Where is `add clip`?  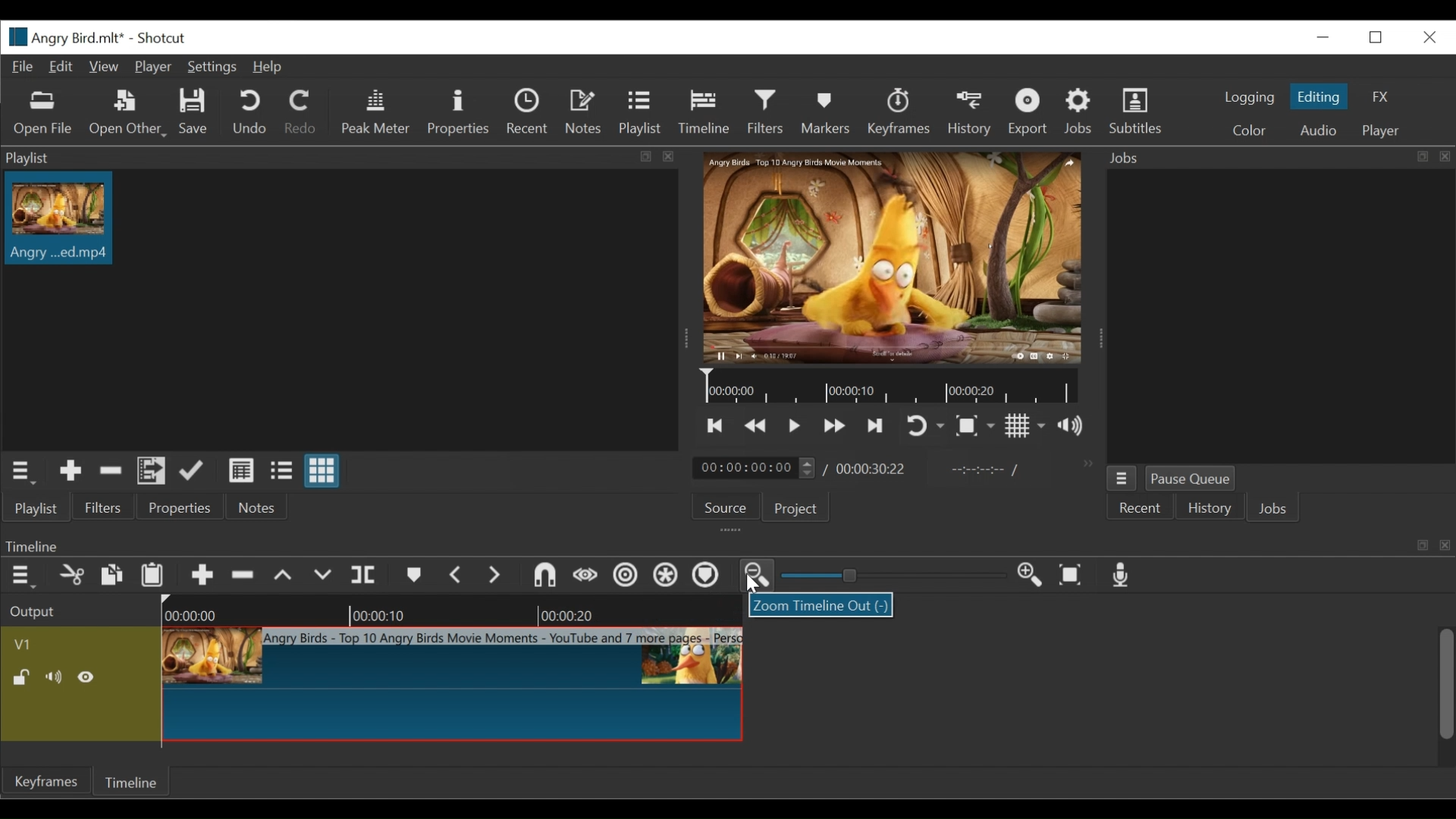 add clip is located at coordinates (202, 578).